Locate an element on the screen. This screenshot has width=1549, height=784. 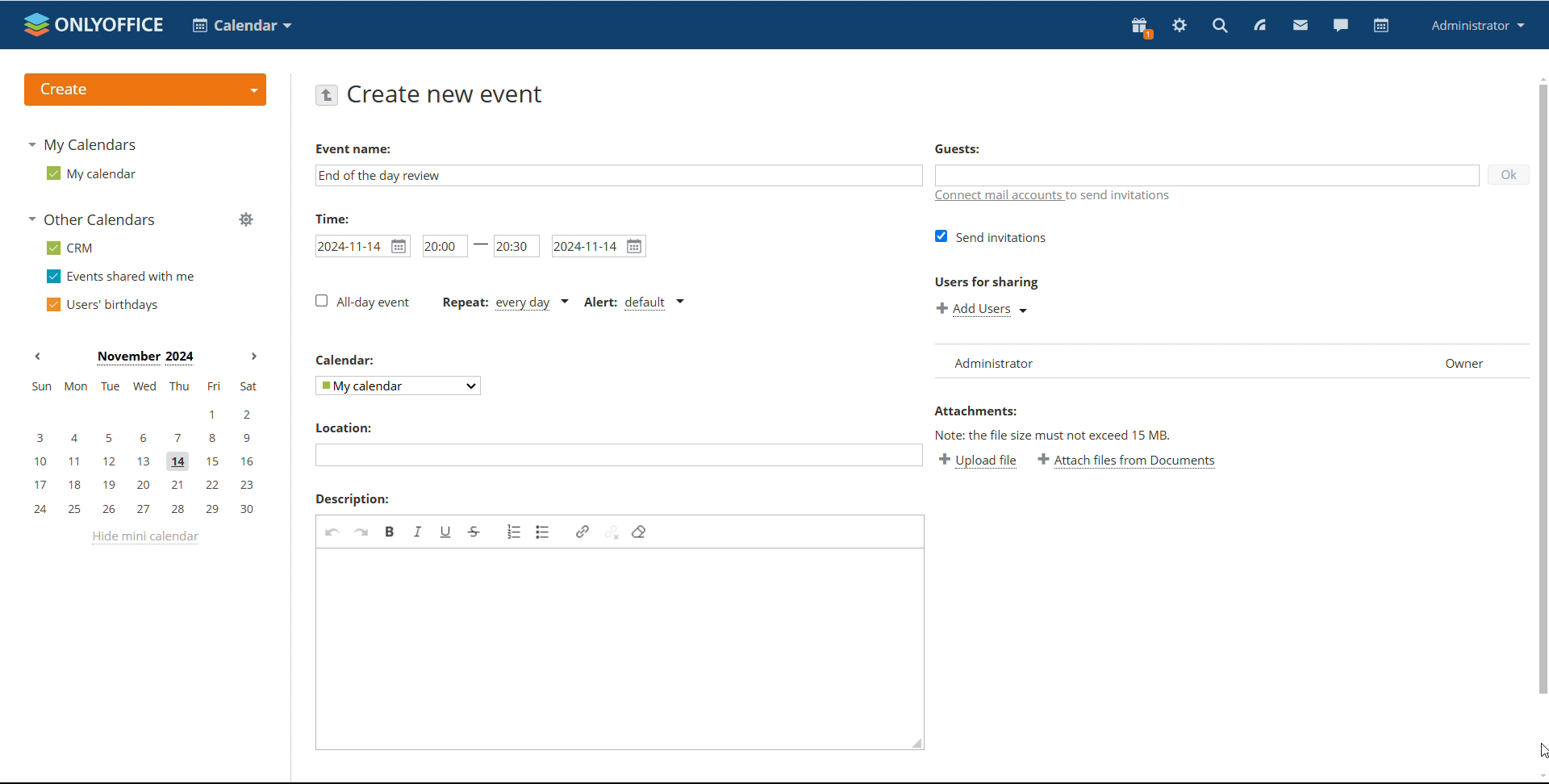
logo is located at coordinates (94, 24).